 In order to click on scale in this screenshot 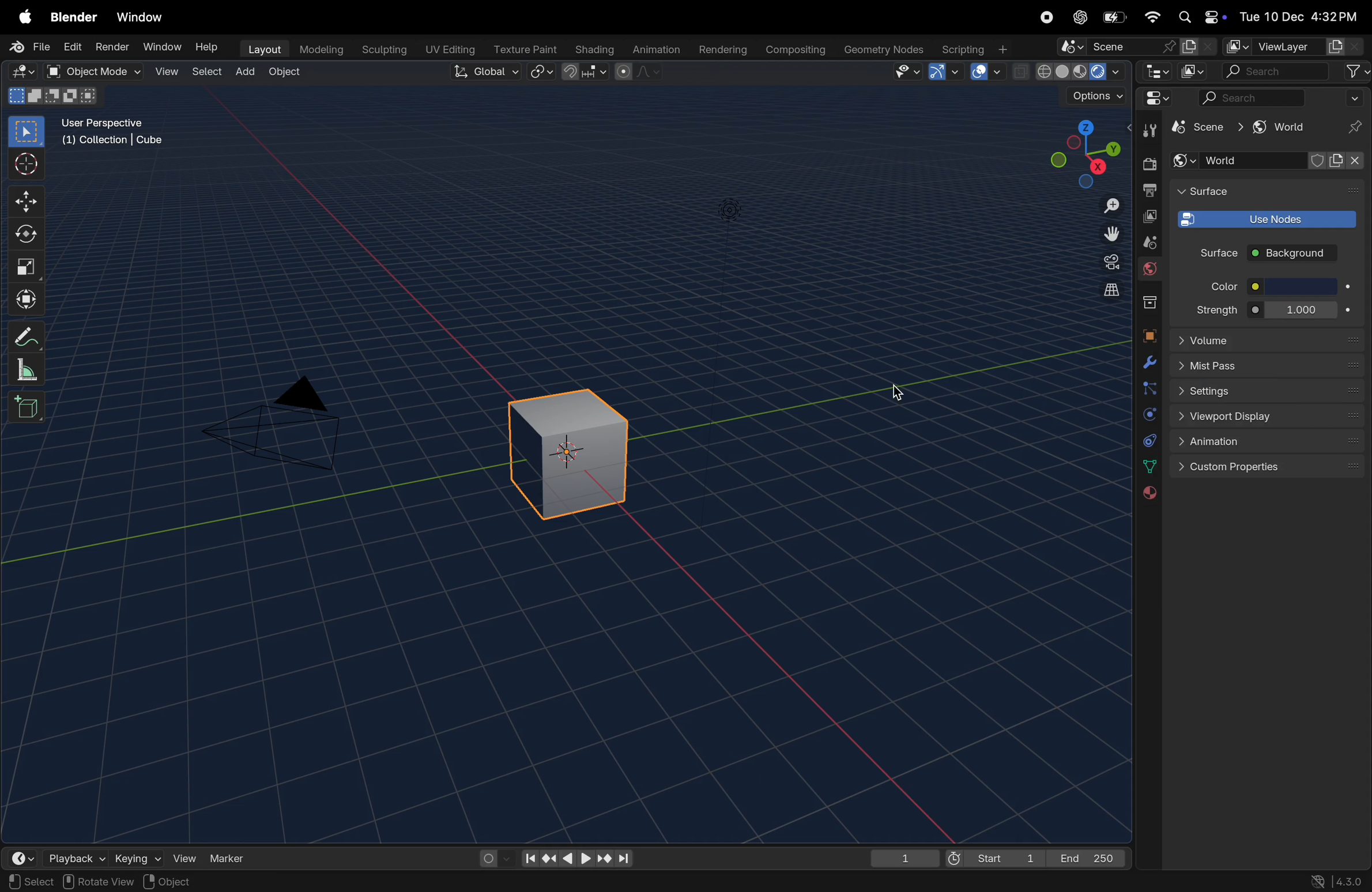, I will do `click(31, 369)`.